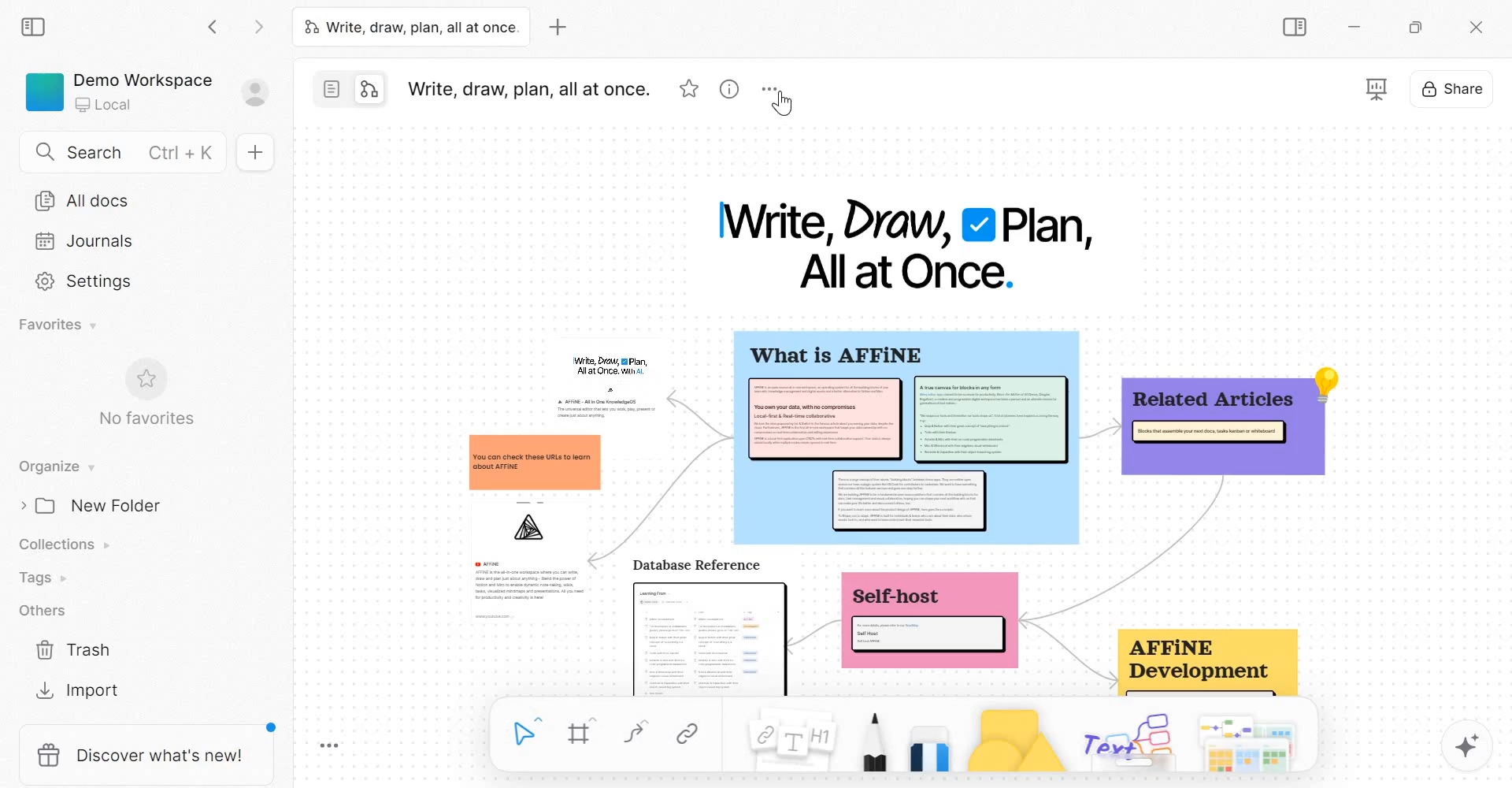 The image size is (1512, 788). I want to click on magic tool, so click(1466, 748).